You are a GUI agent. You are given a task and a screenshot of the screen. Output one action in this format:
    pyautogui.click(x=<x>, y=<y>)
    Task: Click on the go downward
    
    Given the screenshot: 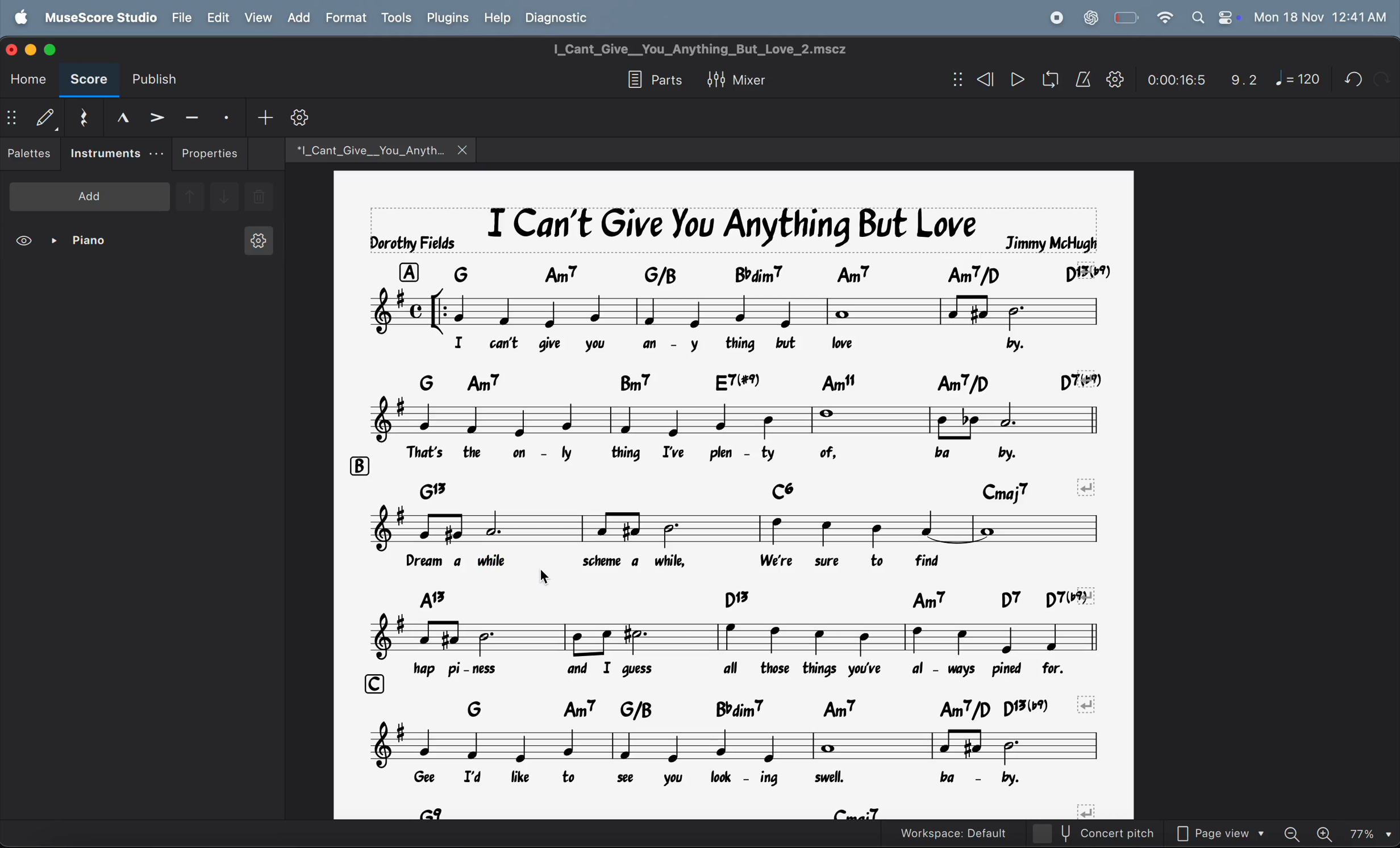 What is the action you would take?
    pyautogui.click(x=226, y=195)
    